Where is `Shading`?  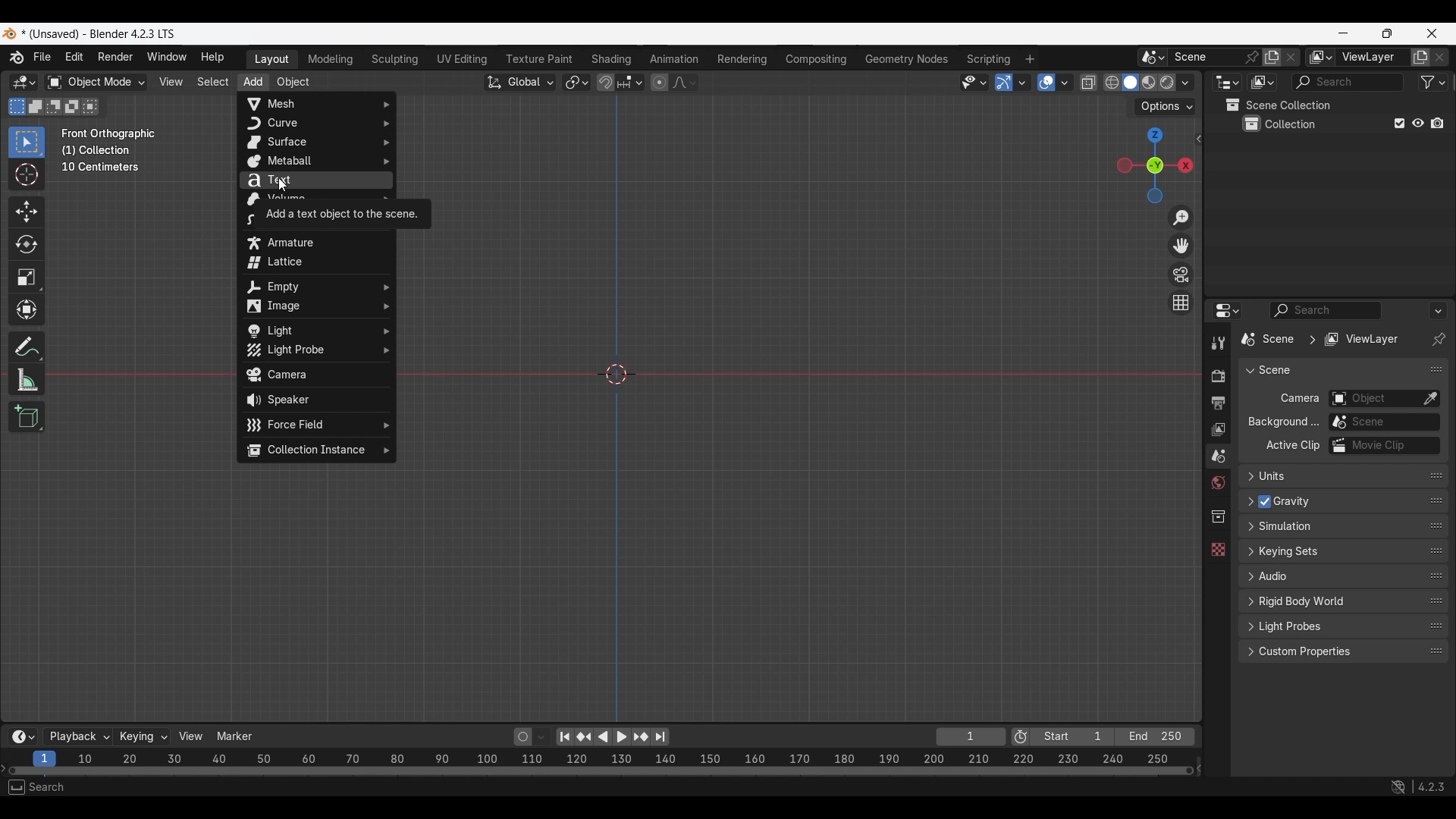 Shading is located at coordinates (1185, 83).